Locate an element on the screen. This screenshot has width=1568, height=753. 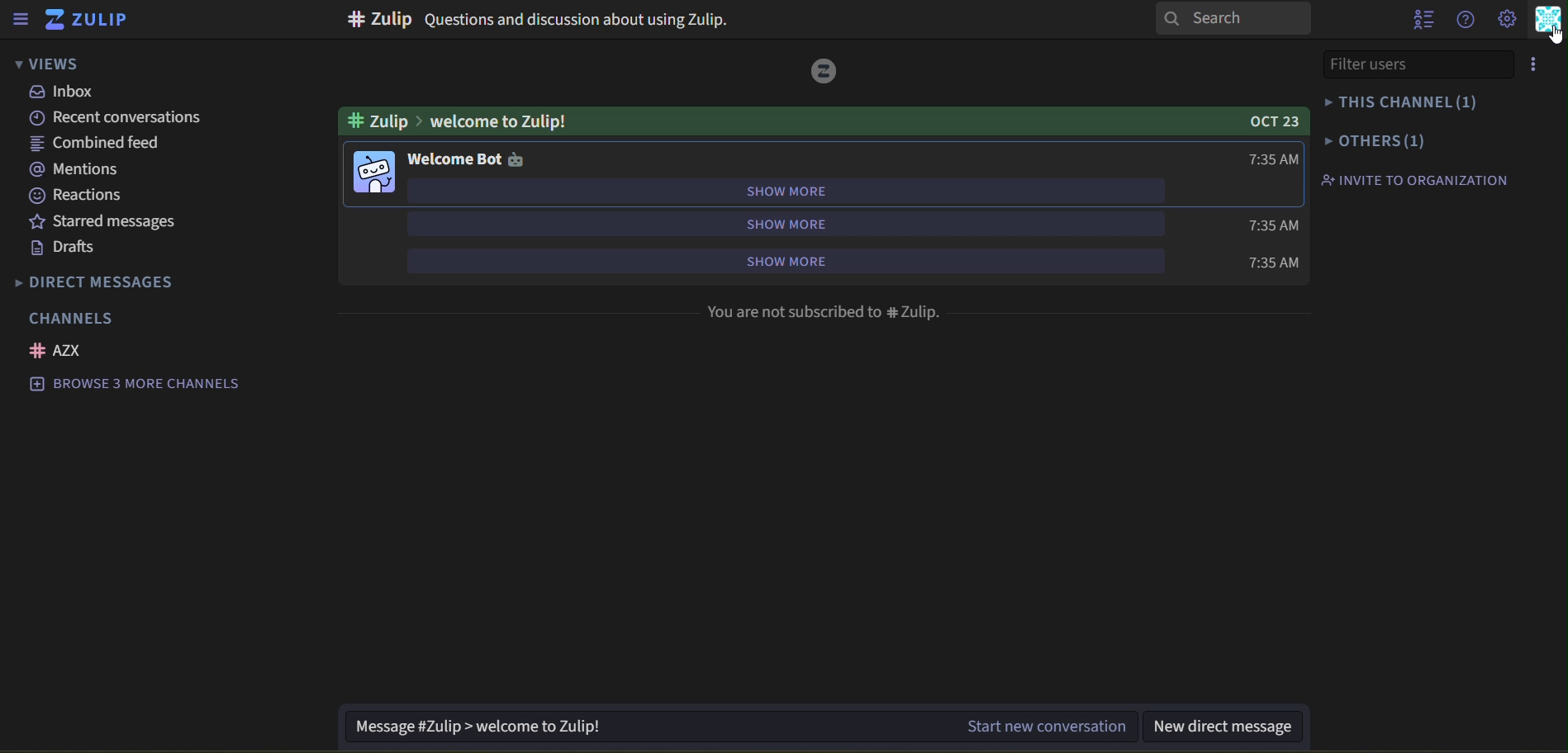
this channel is located at coordinates (1398, 101).